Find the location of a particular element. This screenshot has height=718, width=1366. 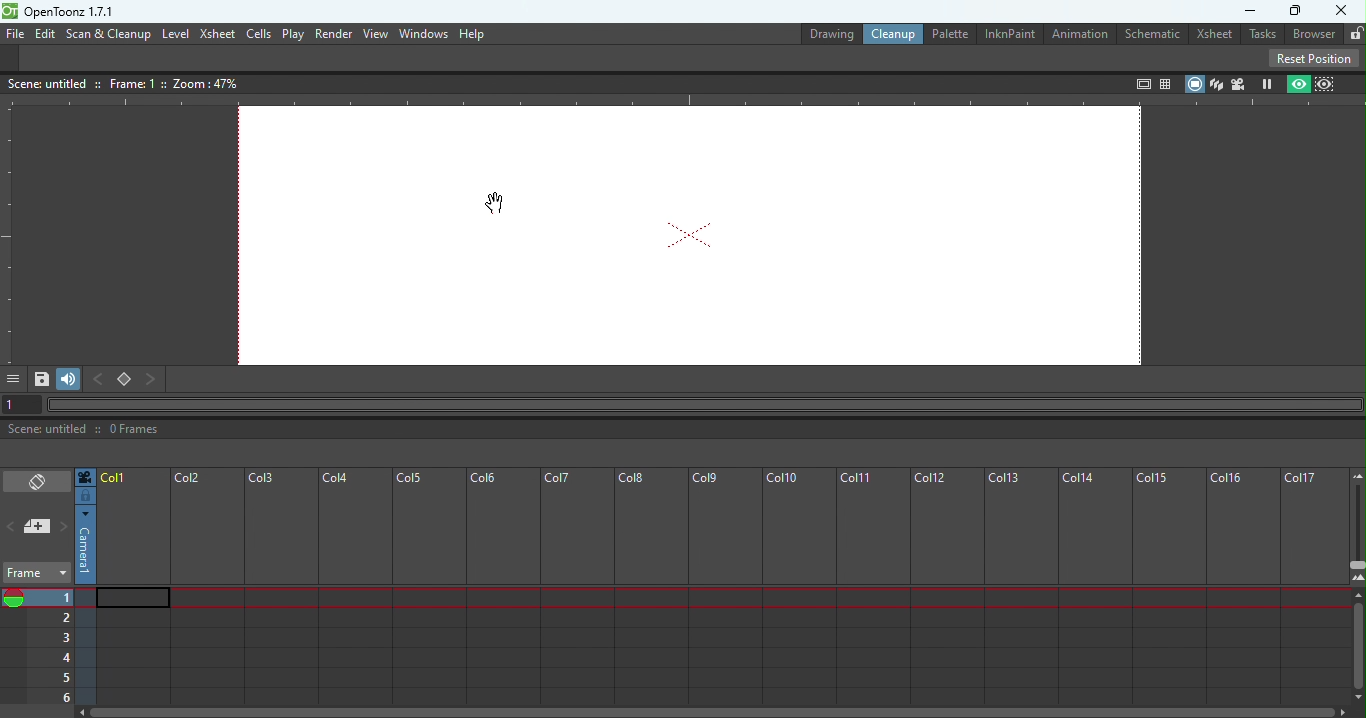

Canvas is located at coordinates (692, 239).